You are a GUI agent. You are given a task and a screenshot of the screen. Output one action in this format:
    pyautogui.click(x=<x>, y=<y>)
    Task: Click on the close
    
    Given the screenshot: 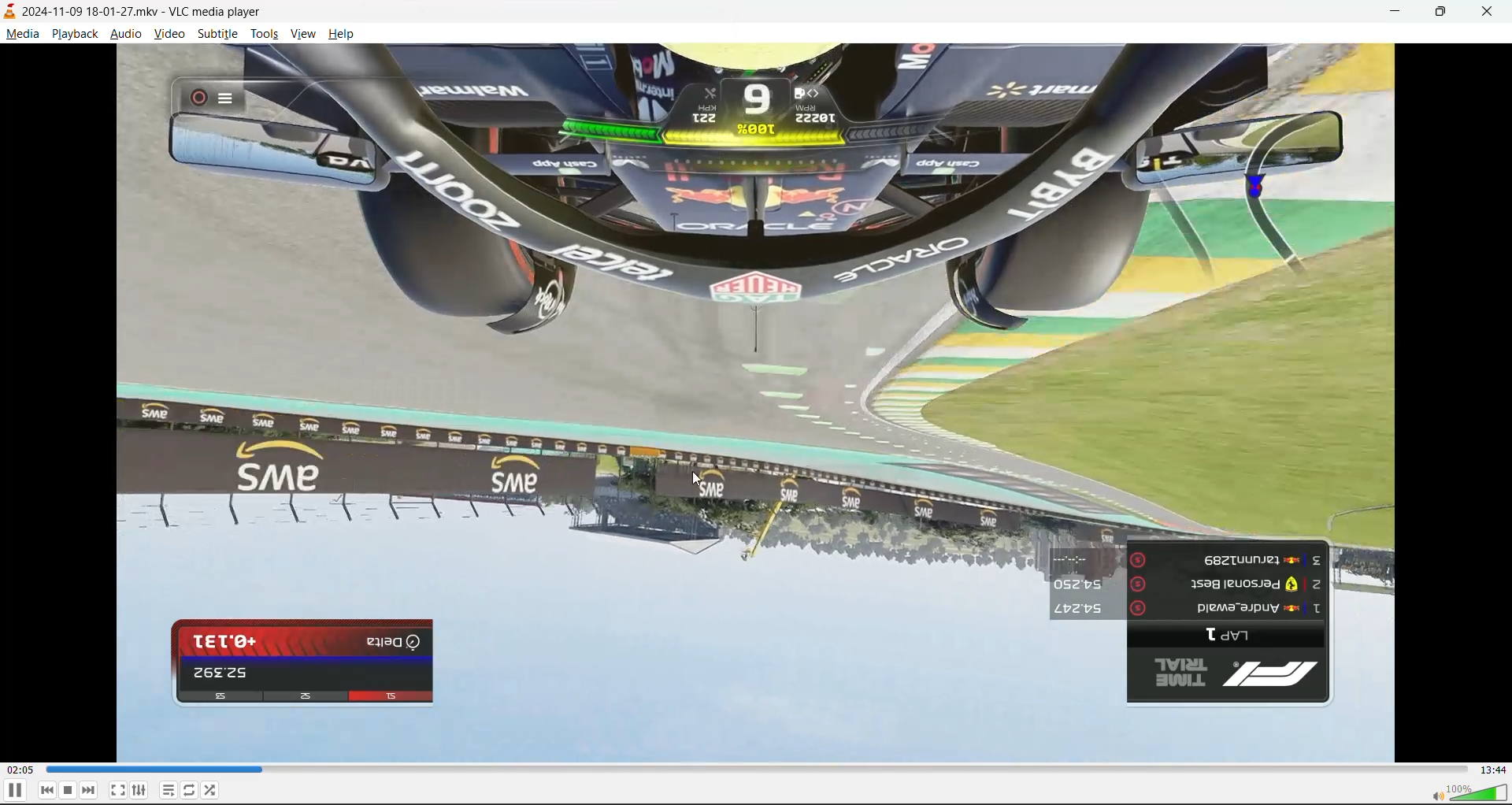 What is the action you would take?
    pyautogui.click(x=1489, y=12)
    